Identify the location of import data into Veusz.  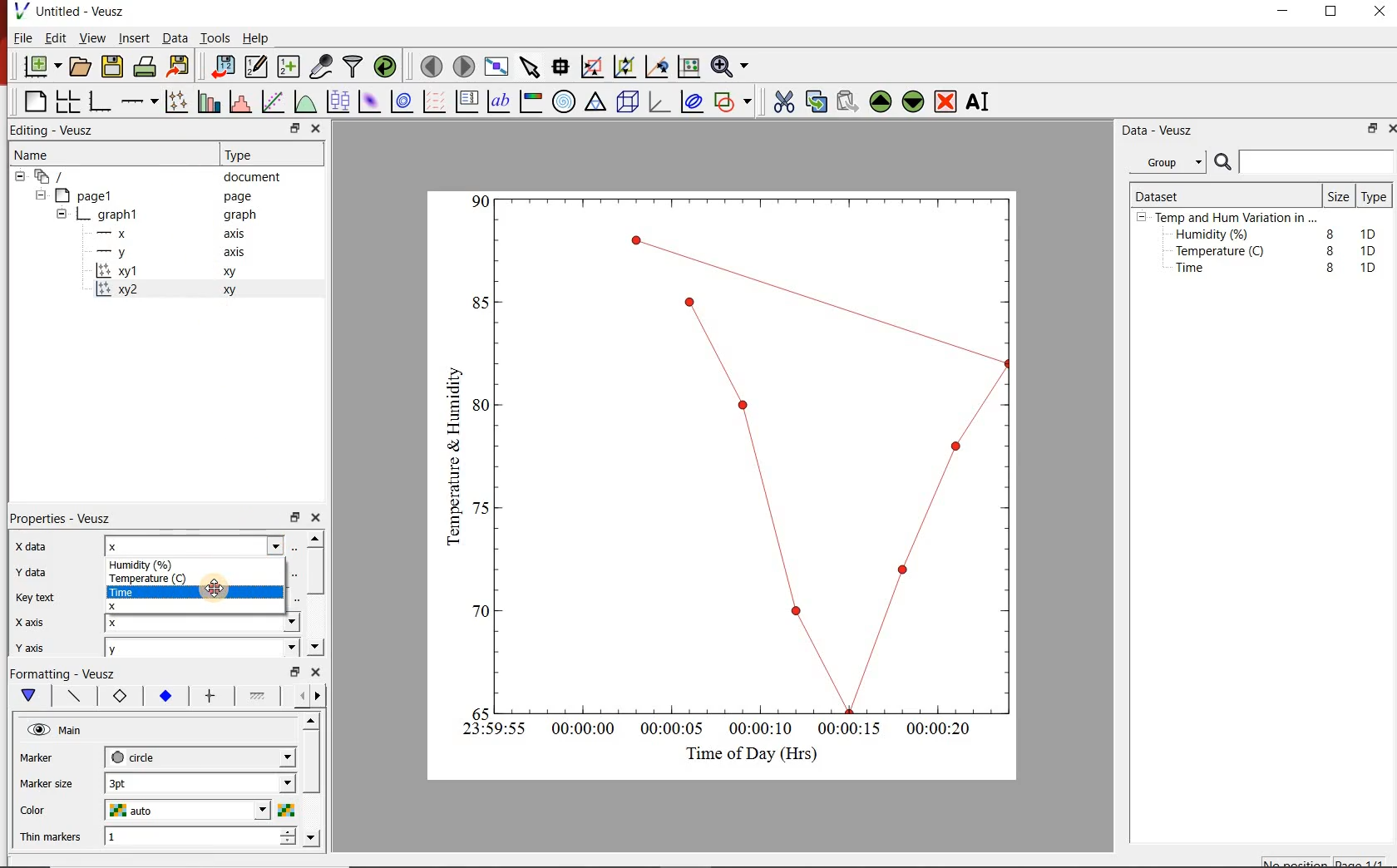
(222, 65).